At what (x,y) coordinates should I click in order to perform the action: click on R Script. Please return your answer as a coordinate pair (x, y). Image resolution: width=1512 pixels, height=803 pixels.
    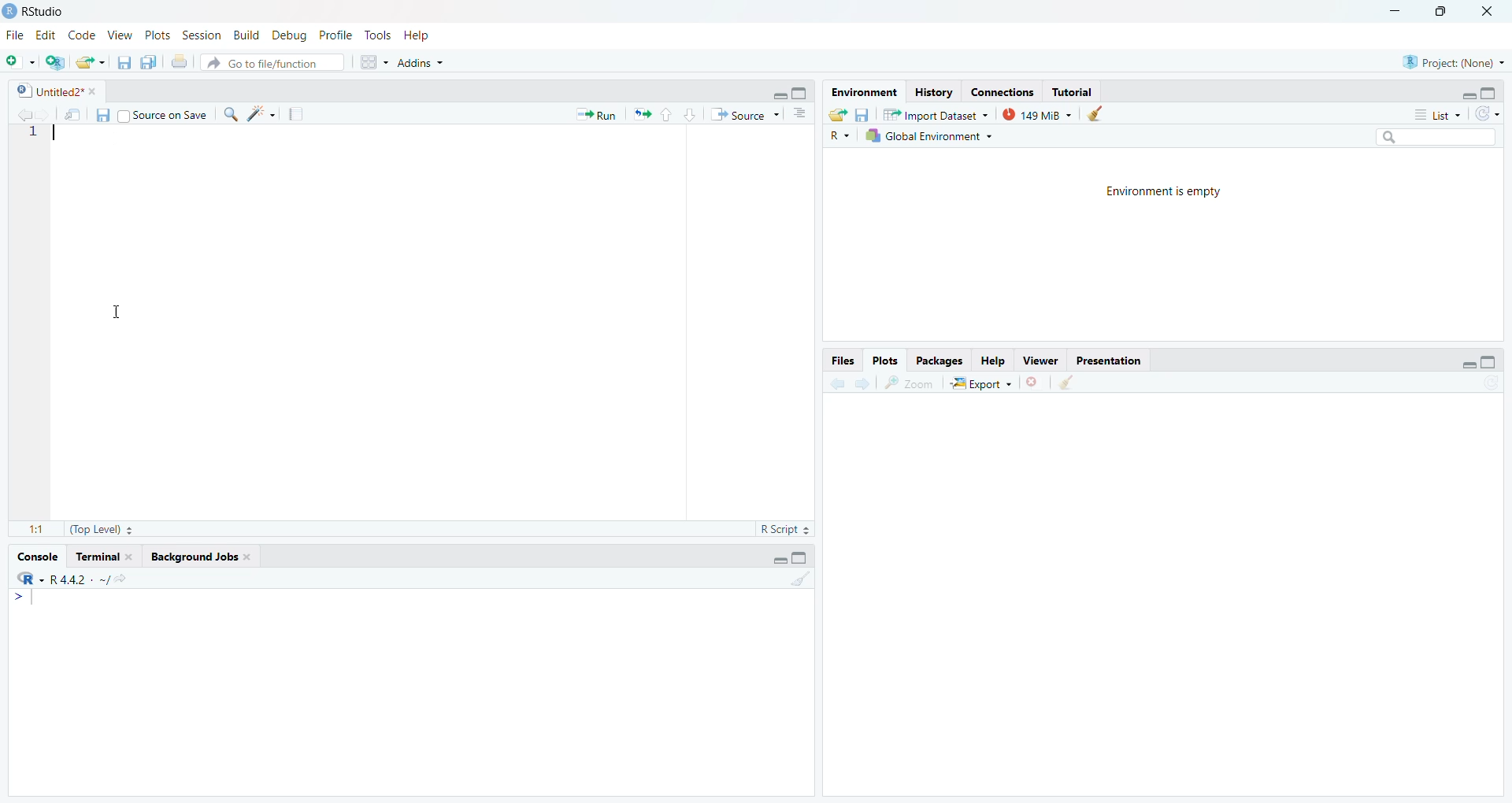
    Looking at the image, I should click on (779, 530).